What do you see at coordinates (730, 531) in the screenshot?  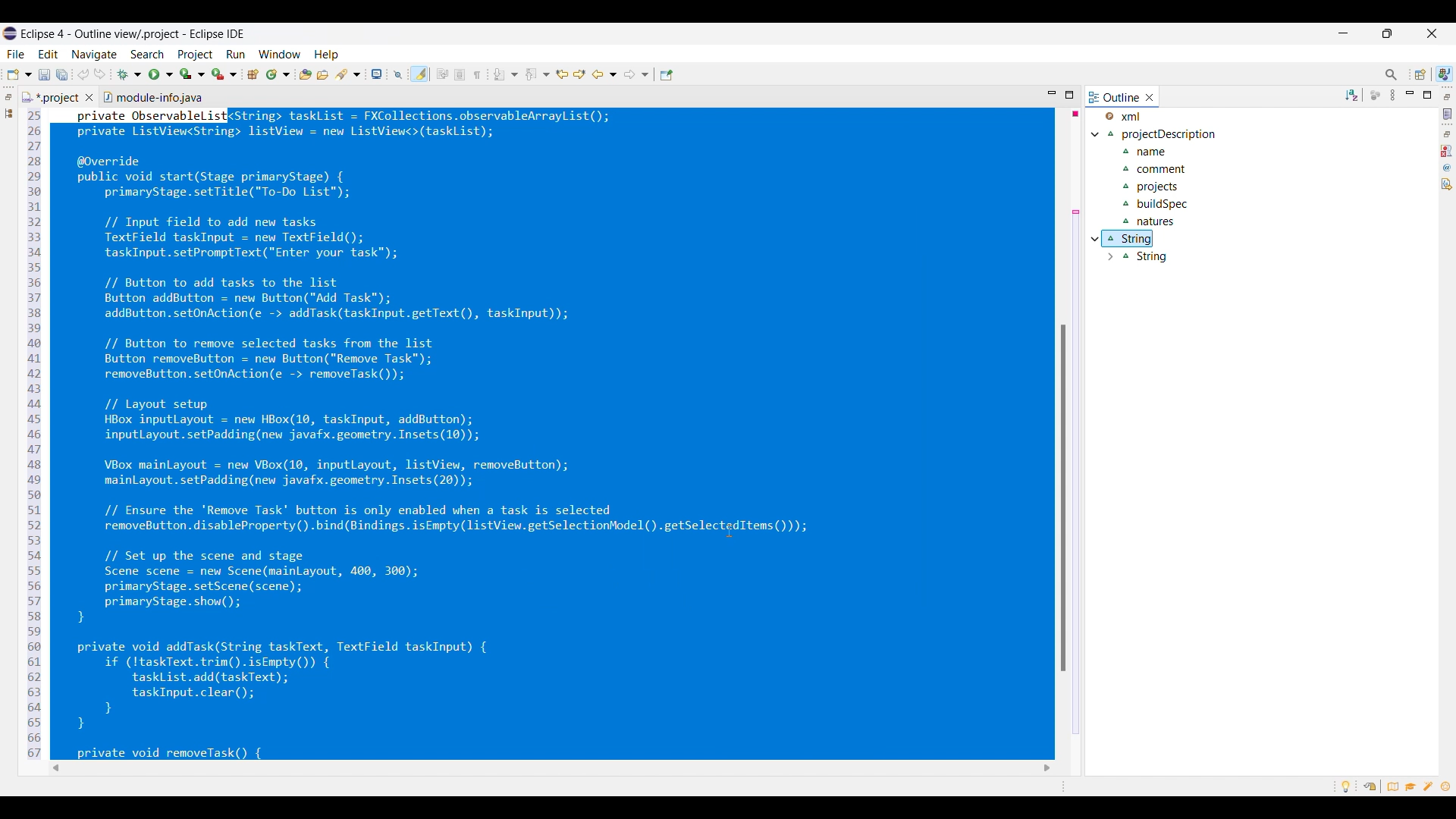 I see `Cursor` at bounding box center [730, 531].